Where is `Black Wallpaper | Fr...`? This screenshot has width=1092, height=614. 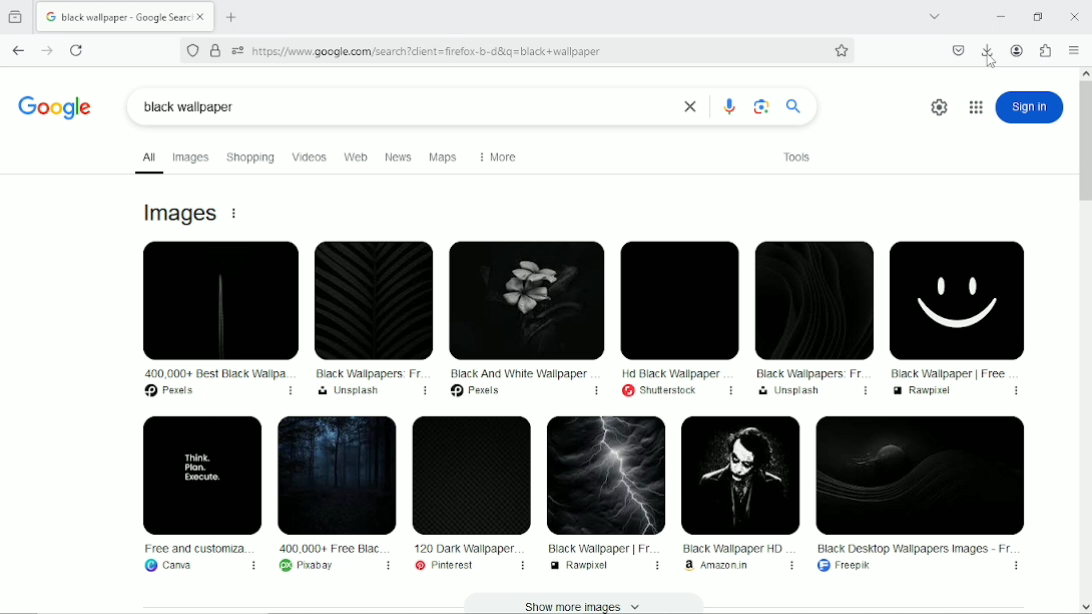 Black Wallpaper | Fr... is located at coordinates (603, 493).